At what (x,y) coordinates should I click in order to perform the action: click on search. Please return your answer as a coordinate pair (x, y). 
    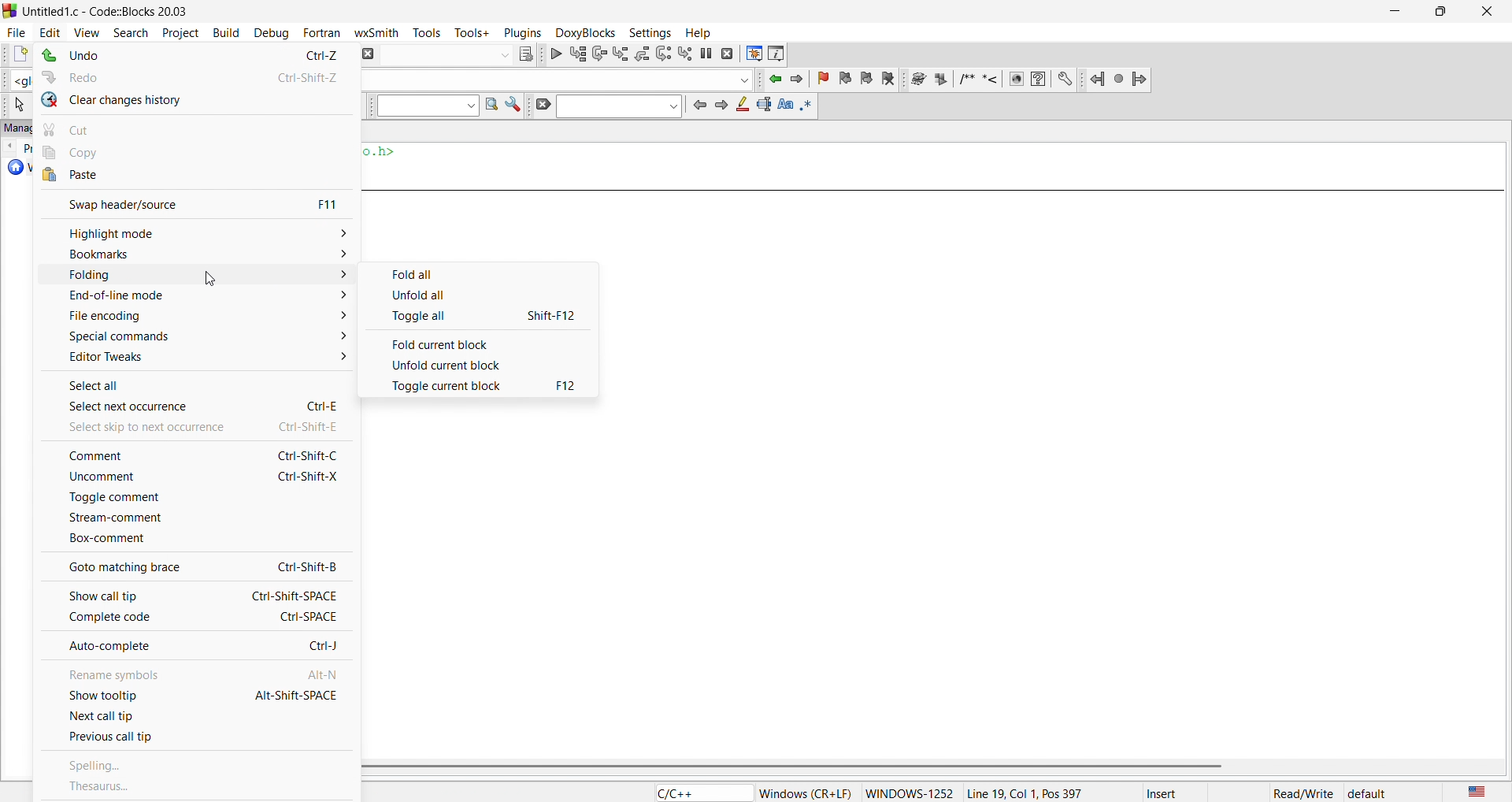
    Looking at the image, I should click on (125, 31).